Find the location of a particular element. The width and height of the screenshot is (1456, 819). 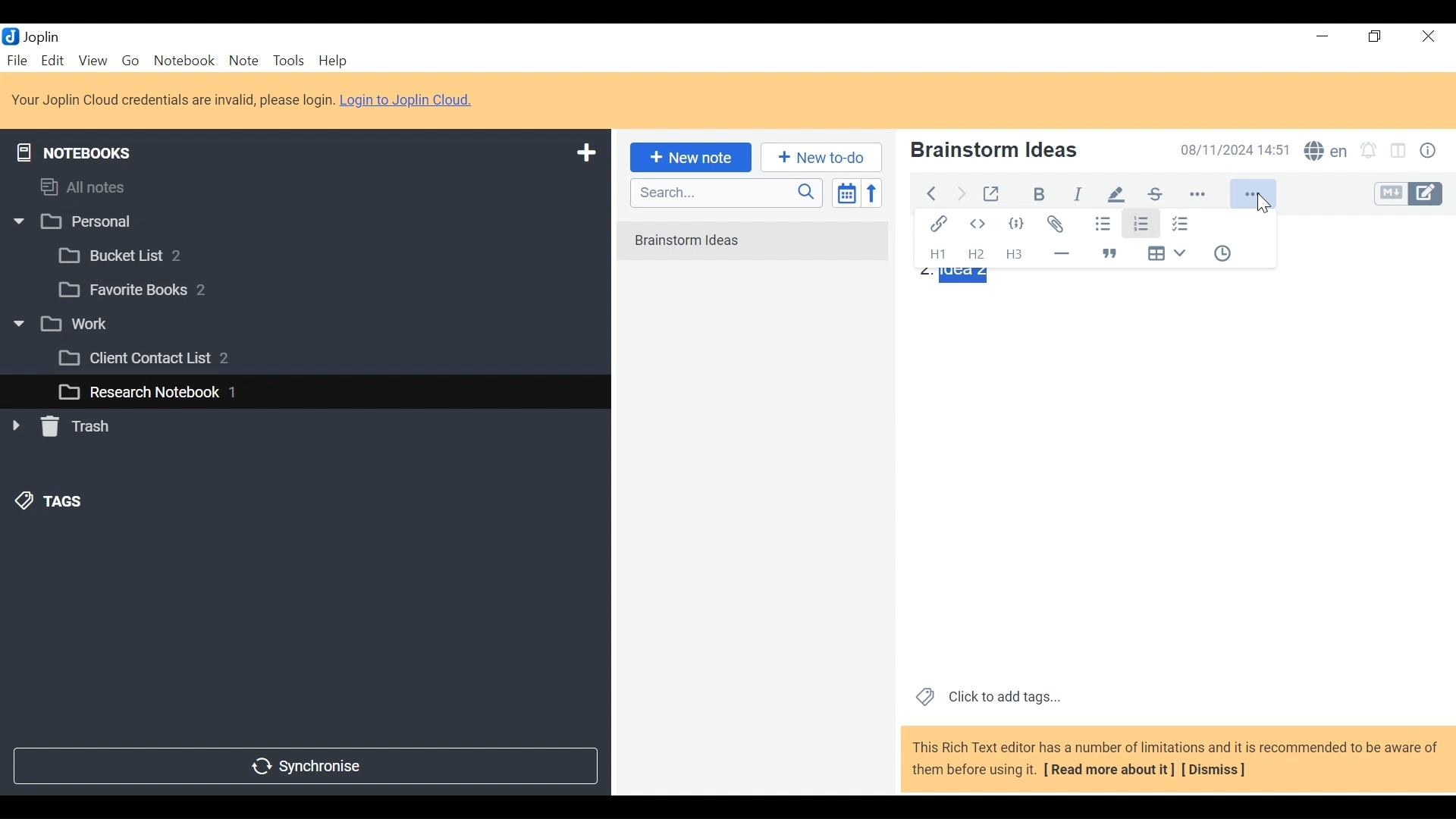

Forward is located at coordinates (962, 192).